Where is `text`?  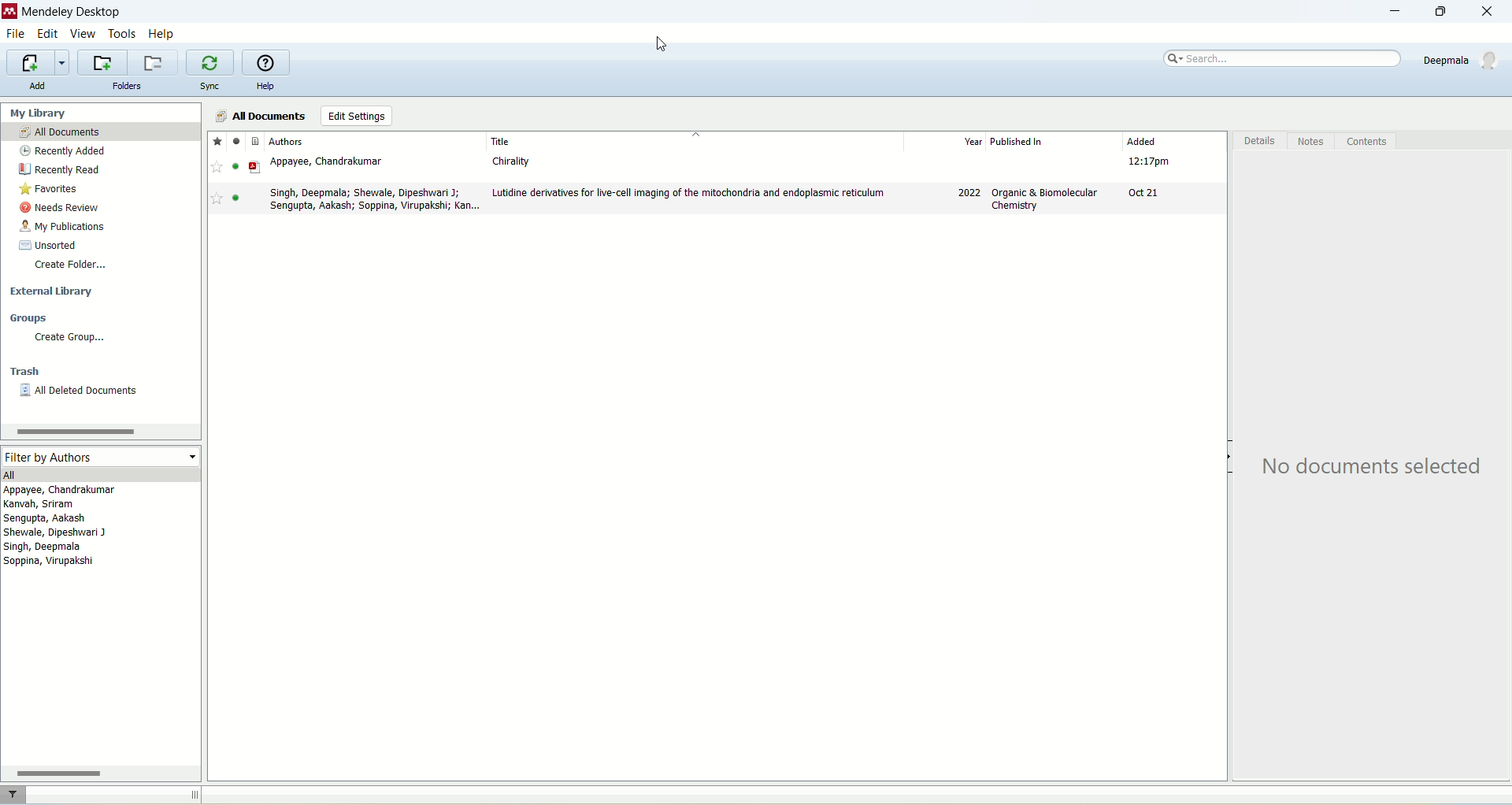 text is located at coordinates (1373, 467).